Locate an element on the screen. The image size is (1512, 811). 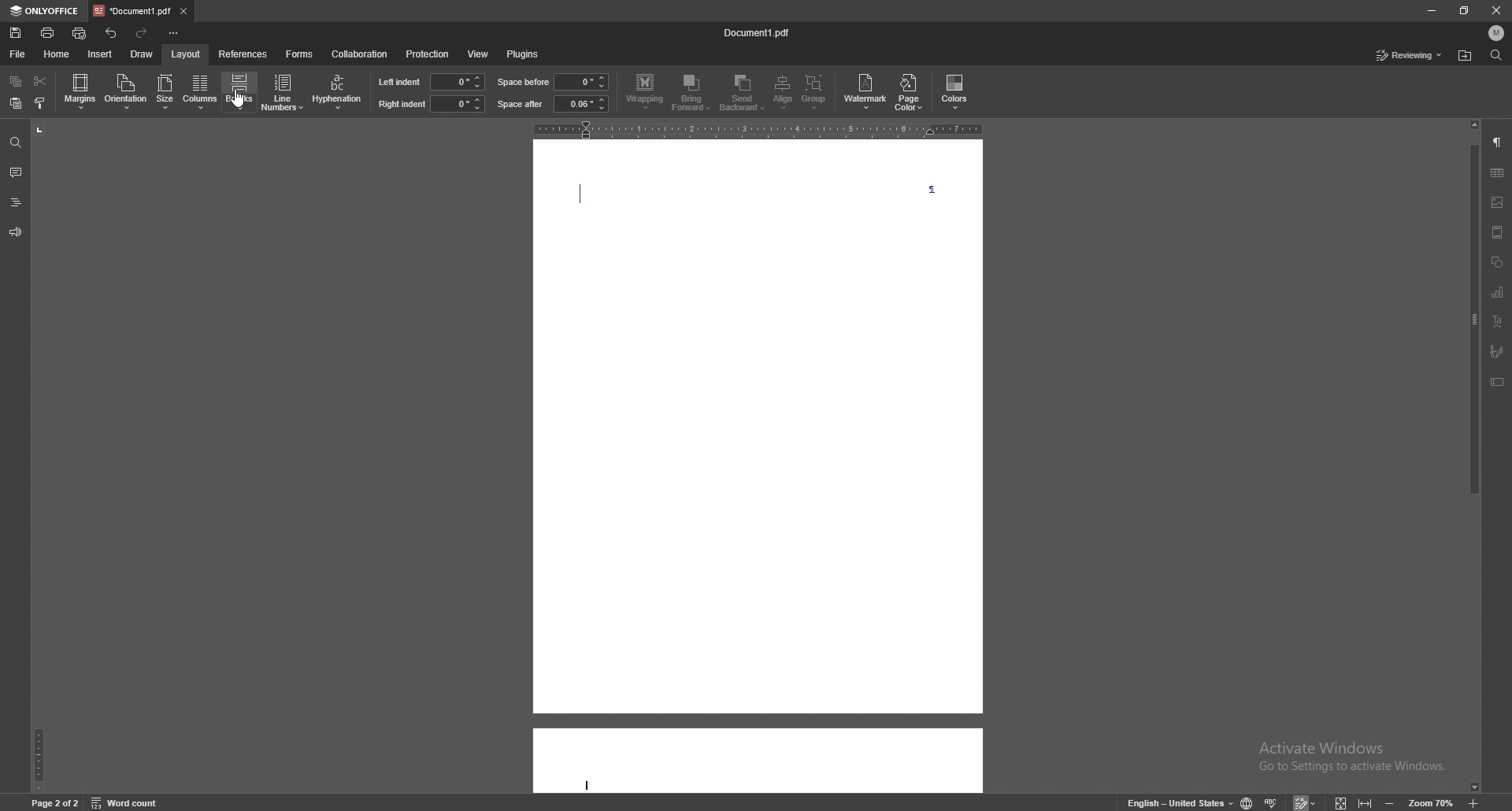
comment is located at coordinates (16, 172).